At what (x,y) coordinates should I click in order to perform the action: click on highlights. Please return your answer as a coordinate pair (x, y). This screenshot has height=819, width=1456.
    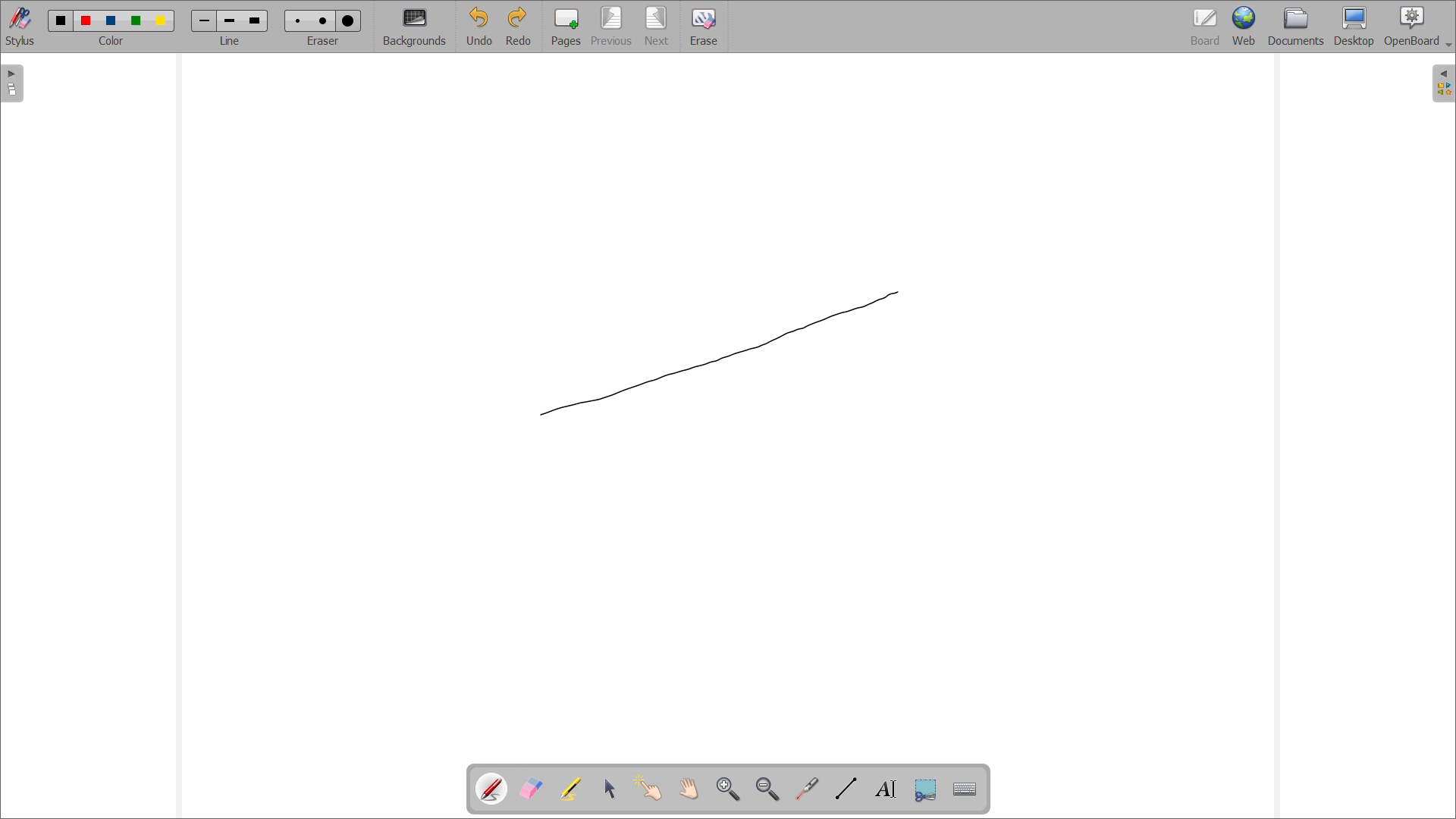
    Looking at the image, I should click on (571, 789).